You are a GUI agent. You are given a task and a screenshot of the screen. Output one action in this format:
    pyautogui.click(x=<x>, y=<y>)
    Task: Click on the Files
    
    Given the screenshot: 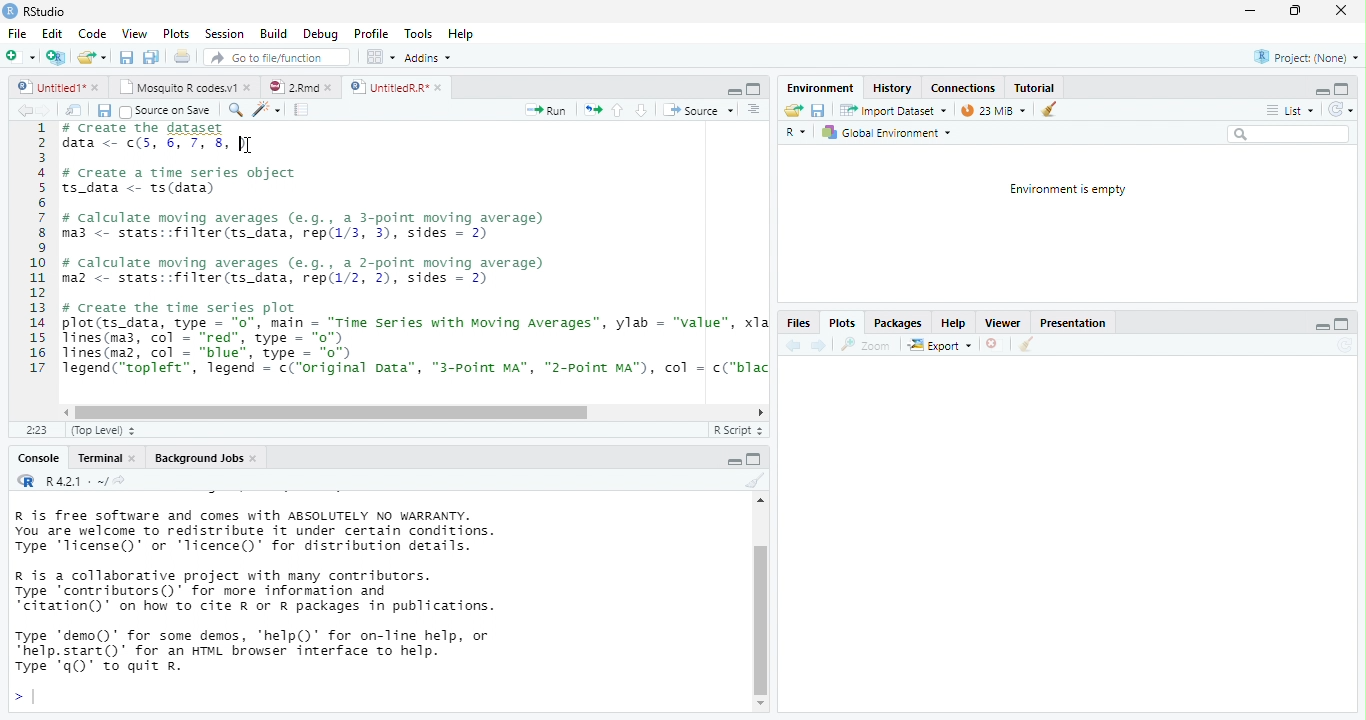 What is the action you would take?
    pyautogui.click(x=797, y=324)
    